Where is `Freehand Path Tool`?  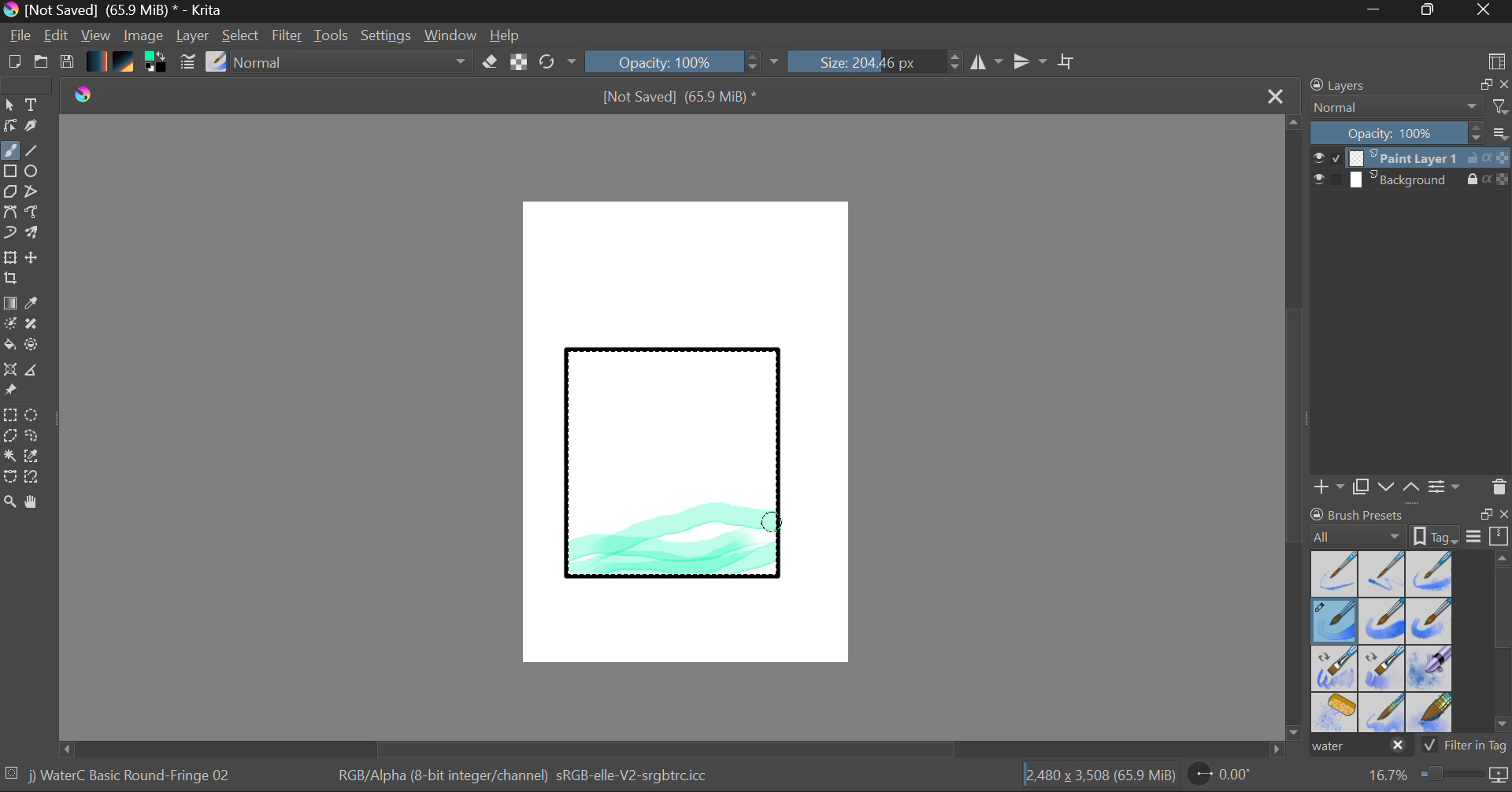 Freehand Path Tool is located at coordinates (31, 213).